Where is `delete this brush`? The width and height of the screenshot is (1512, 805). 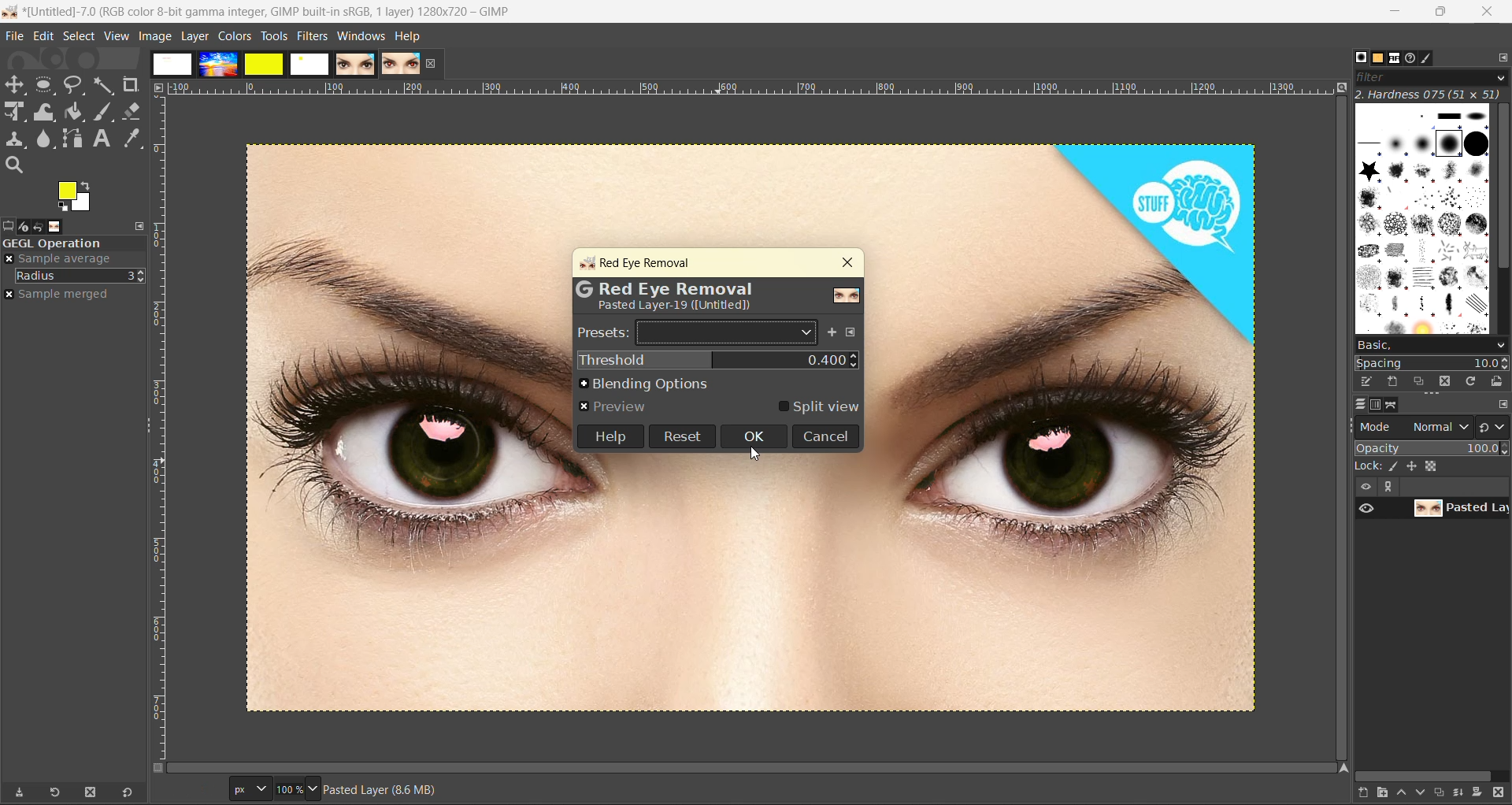 delete this brush is located at coordinates (1442, 382).